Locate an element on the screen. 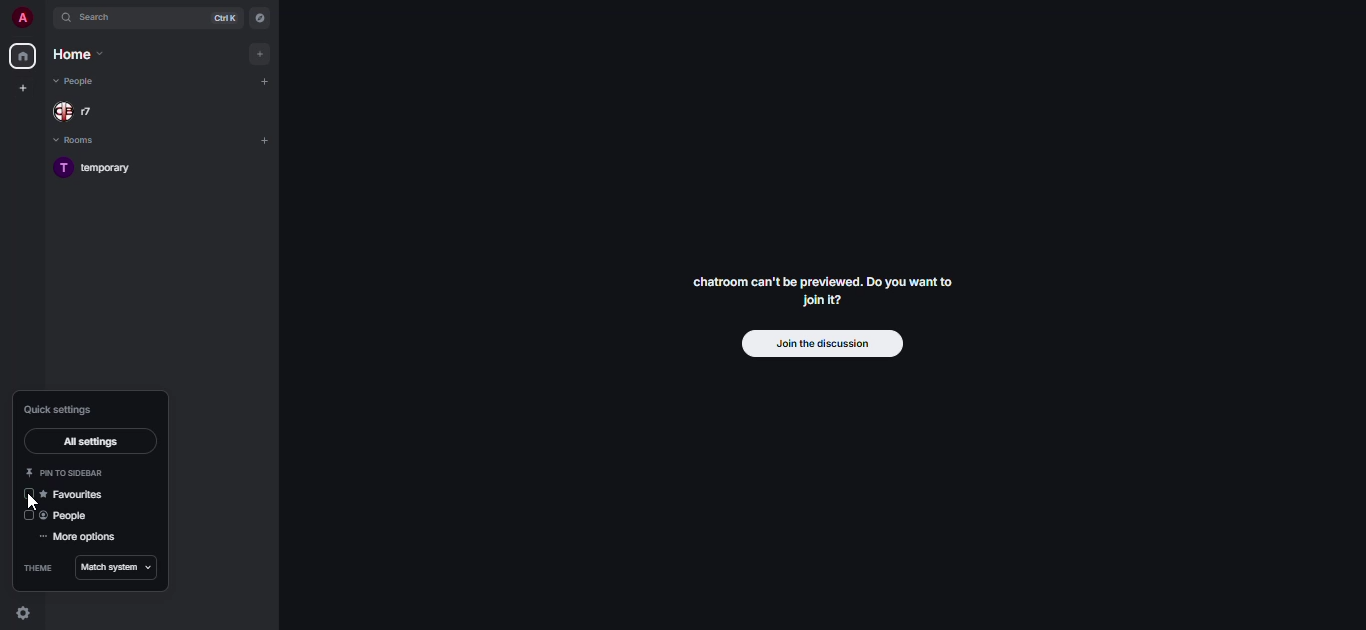 This screenshot has height=630, width=1366. add is located at coordinates (265, 143).